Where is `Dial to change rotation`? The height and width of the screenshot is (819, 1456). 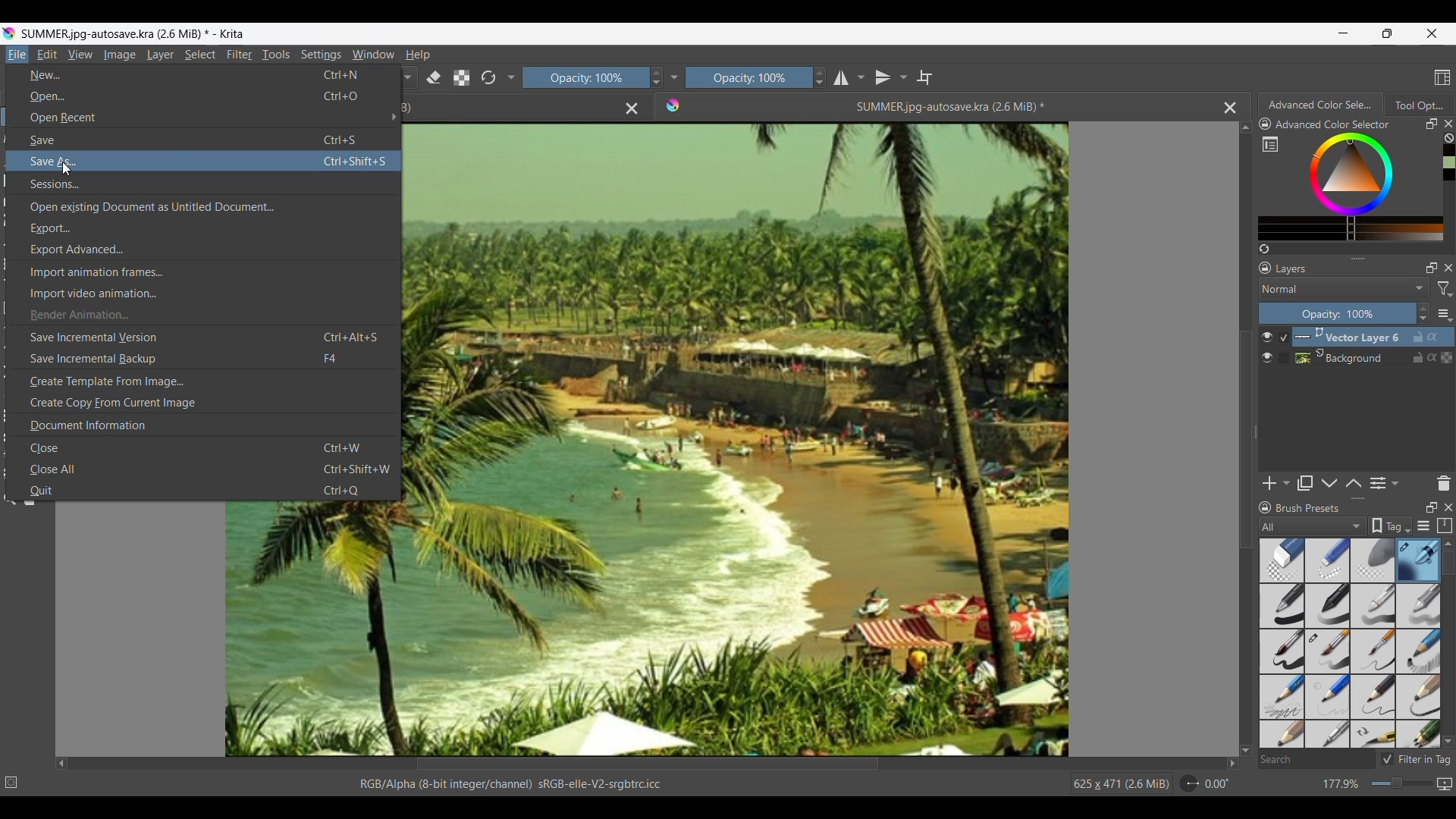 Dial to change rotation is located at coordinates (1190, 784).